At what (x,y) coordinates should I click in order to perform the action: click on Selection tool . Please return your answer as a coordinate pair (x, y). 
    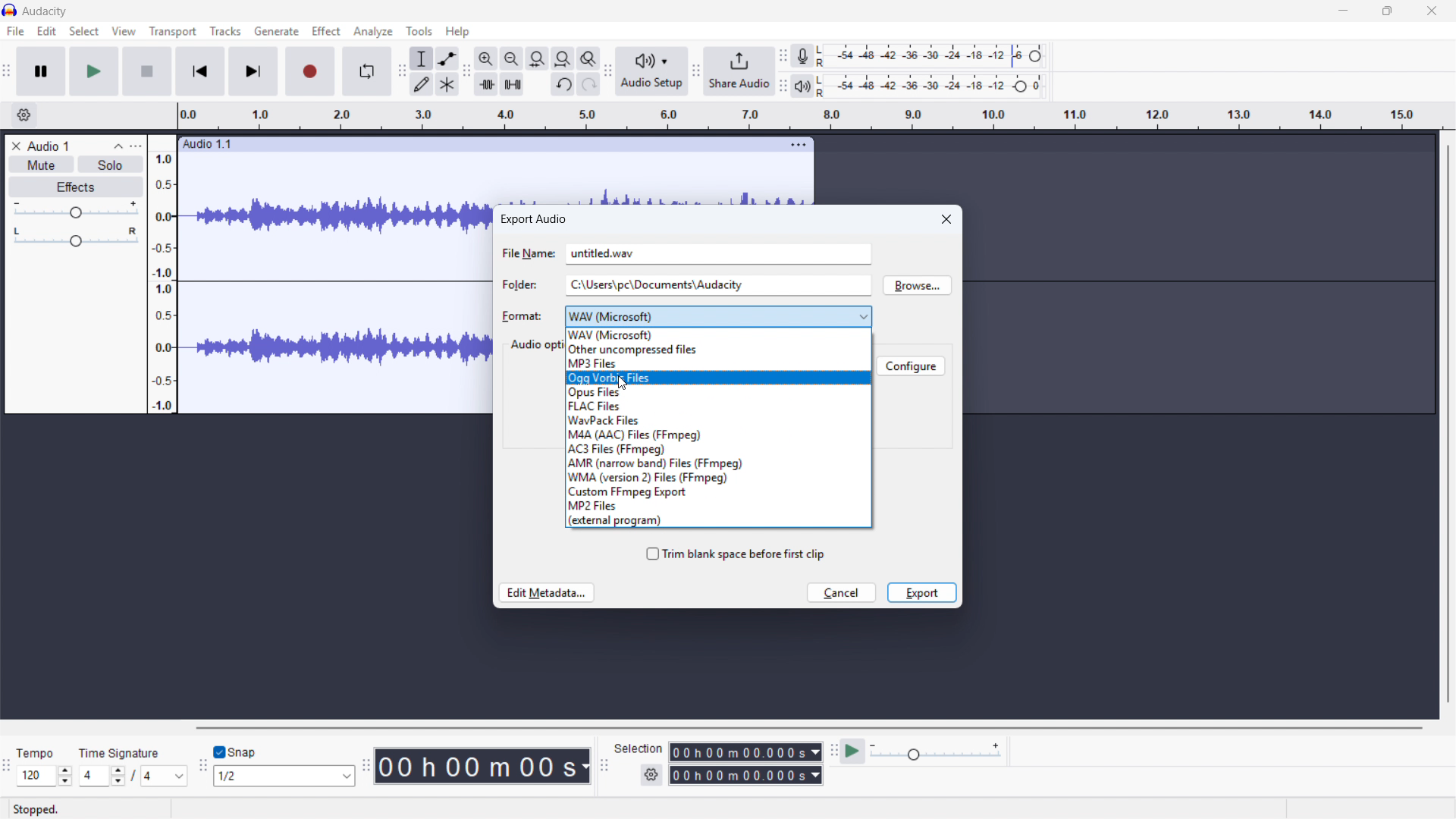
    Looking at the image, I should click on (421, 58).